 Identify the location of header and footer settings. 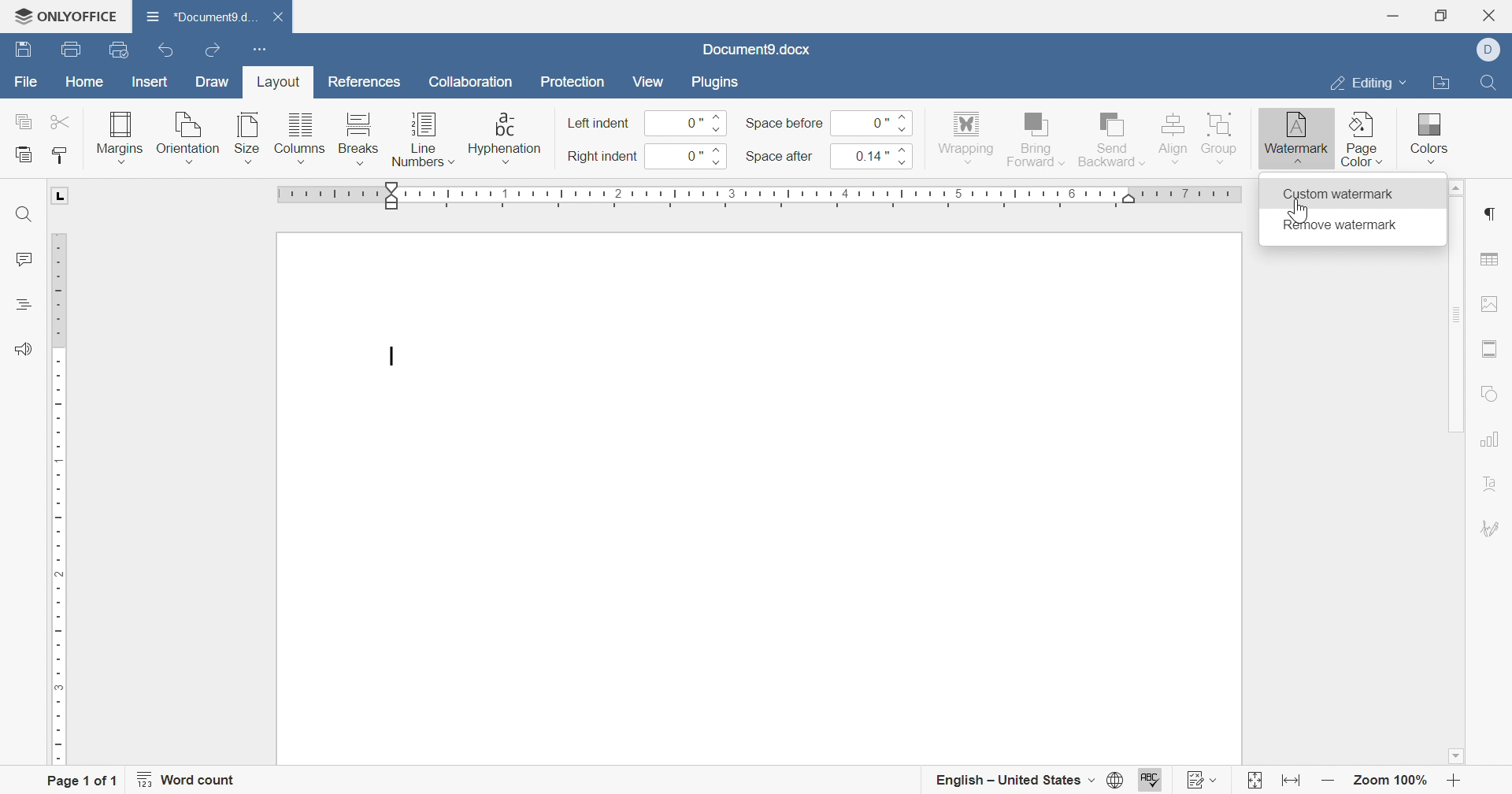
(1487, 349).